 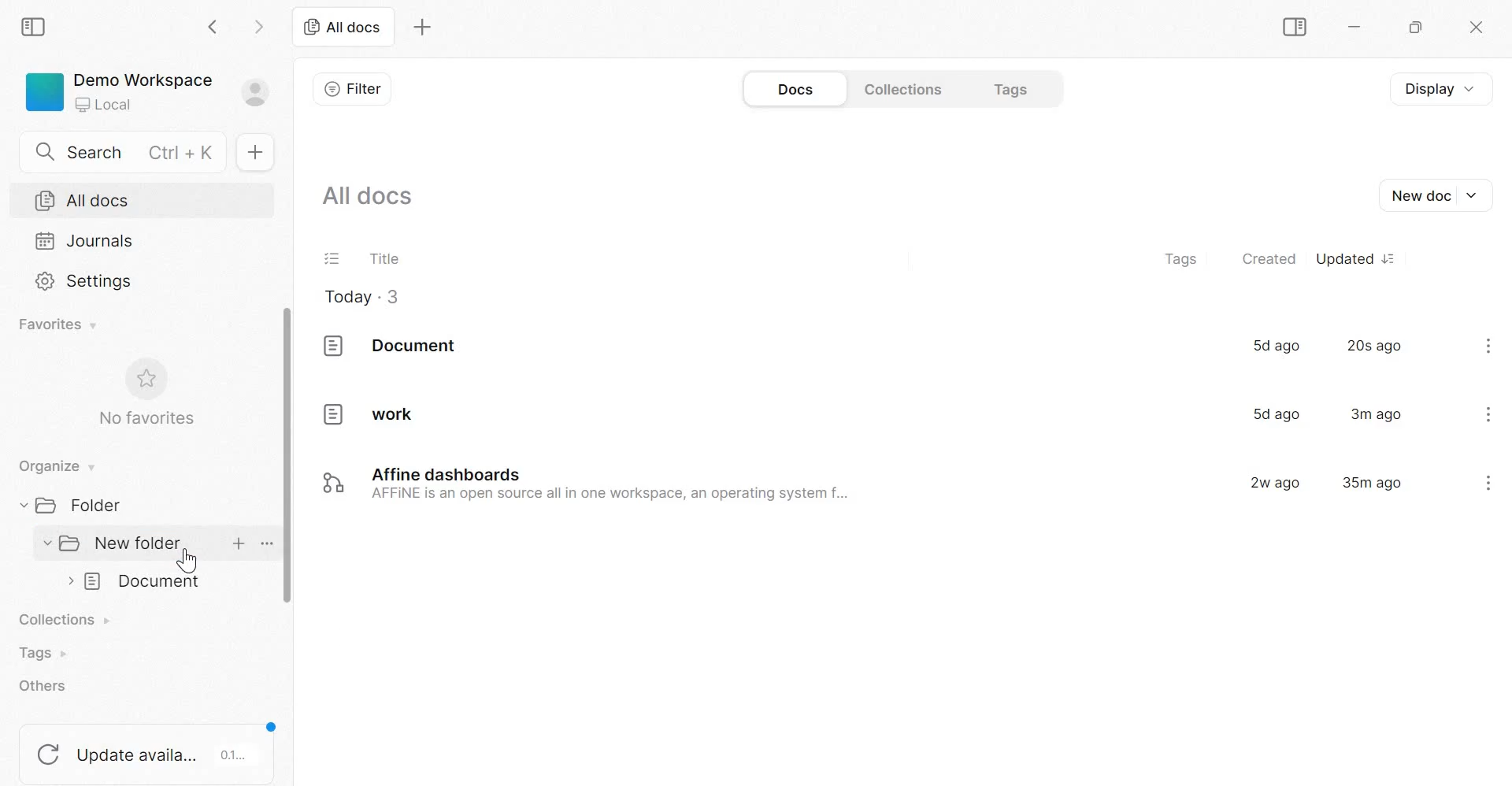 What do you see at coordinates (1377, 413) in the screenshot?
I see `3m ago` at bounding box center [1377, 413].